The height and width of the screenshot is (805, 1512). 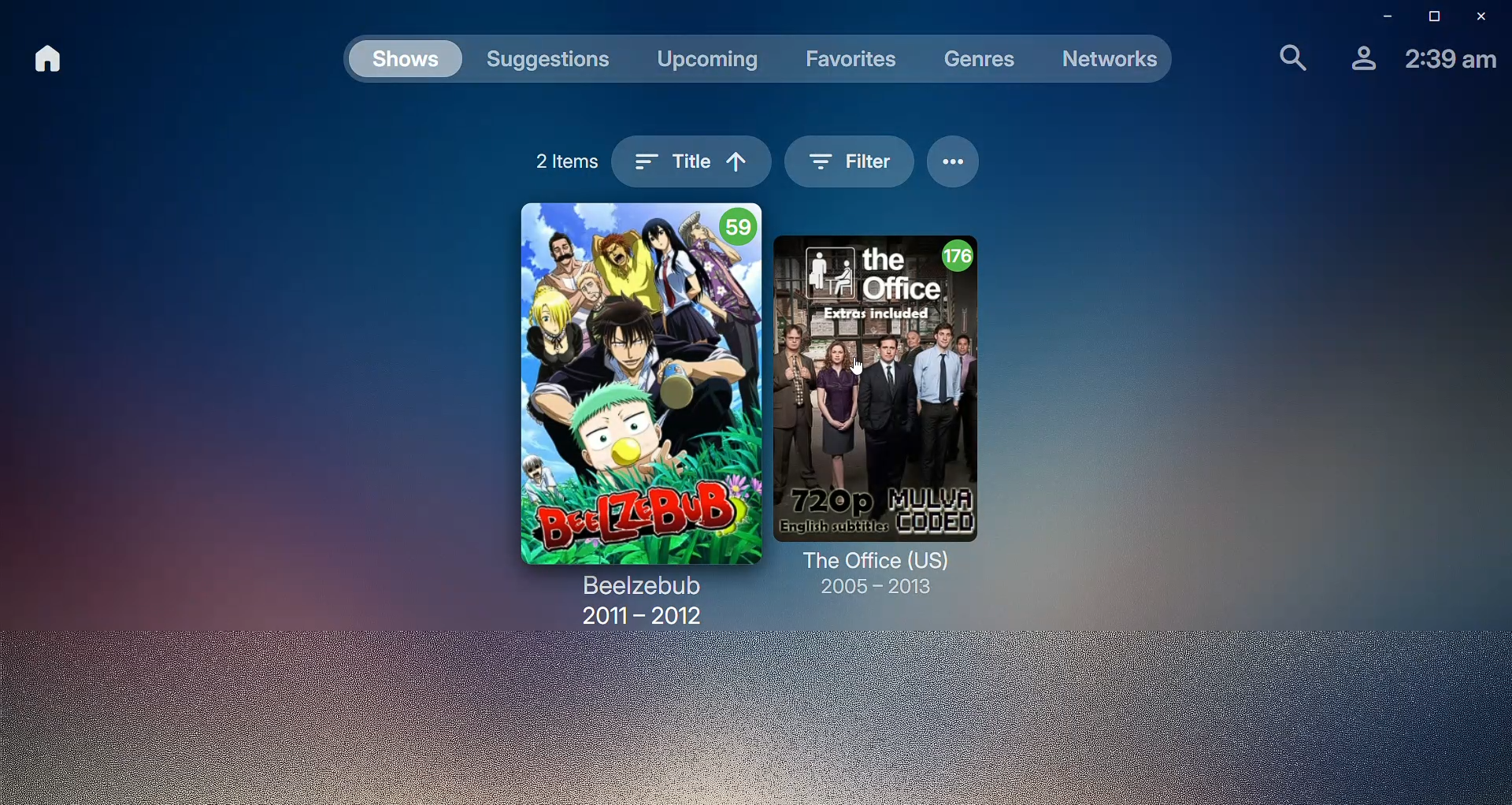 What do you see at coordinates (1425, 17) in the screenshot?
I see `Restore` at bounding box center [1425, 17].